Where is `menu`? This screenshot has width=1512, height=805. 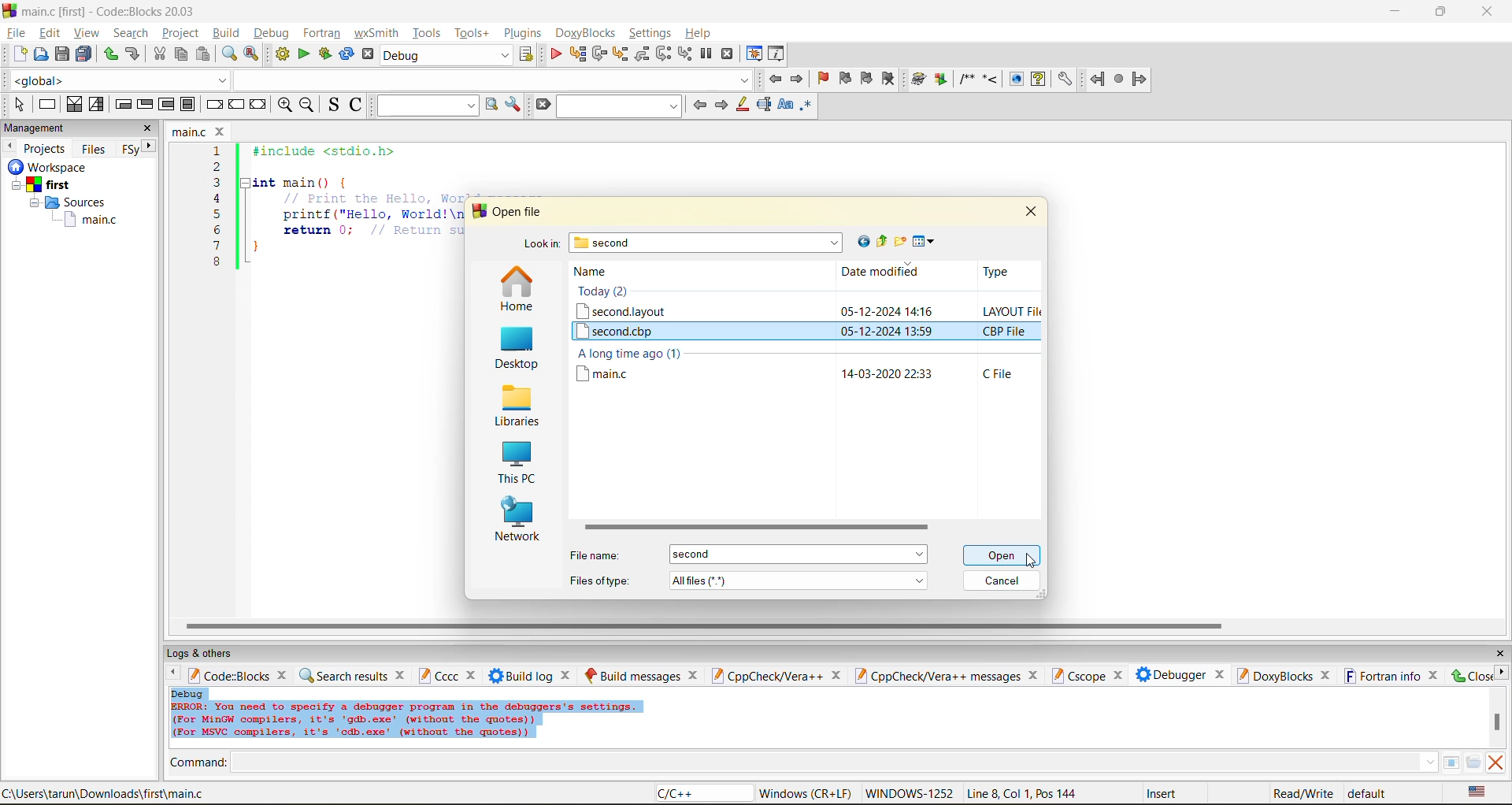
menu is located at coordinates (798, 555).